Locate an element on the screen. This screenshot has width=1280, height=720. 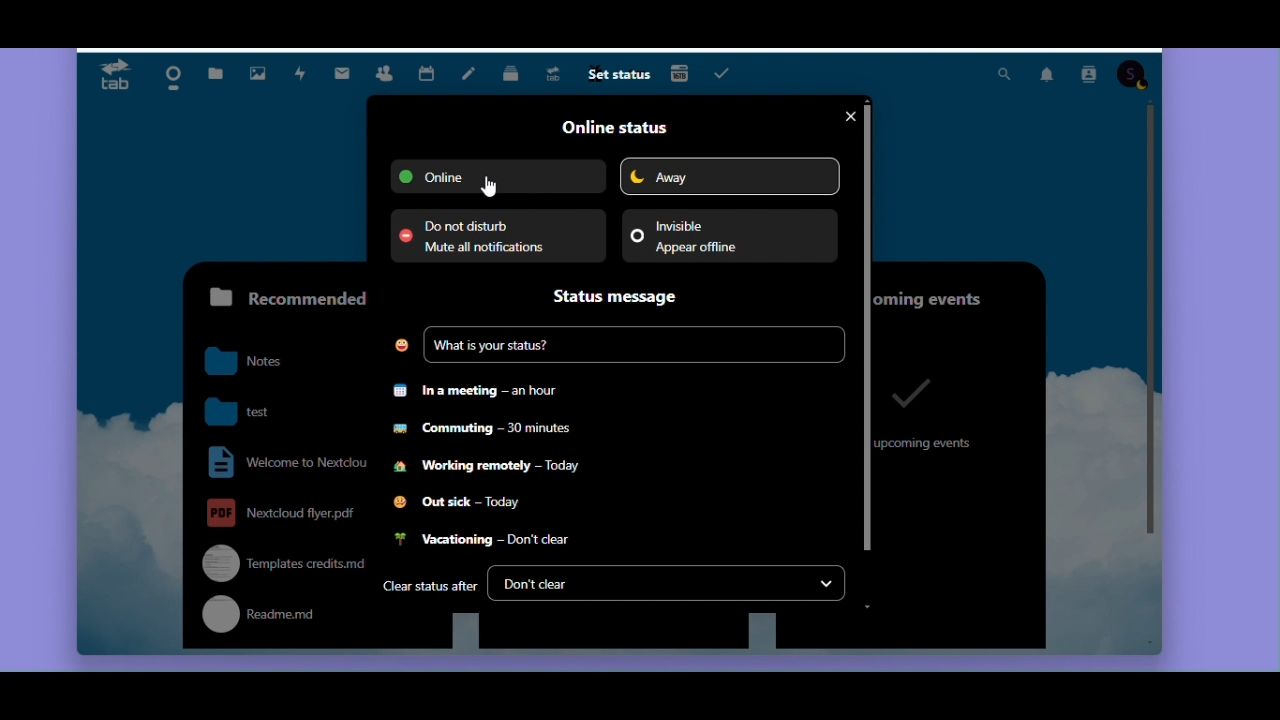
Photos is located at coordinates (255, 70).